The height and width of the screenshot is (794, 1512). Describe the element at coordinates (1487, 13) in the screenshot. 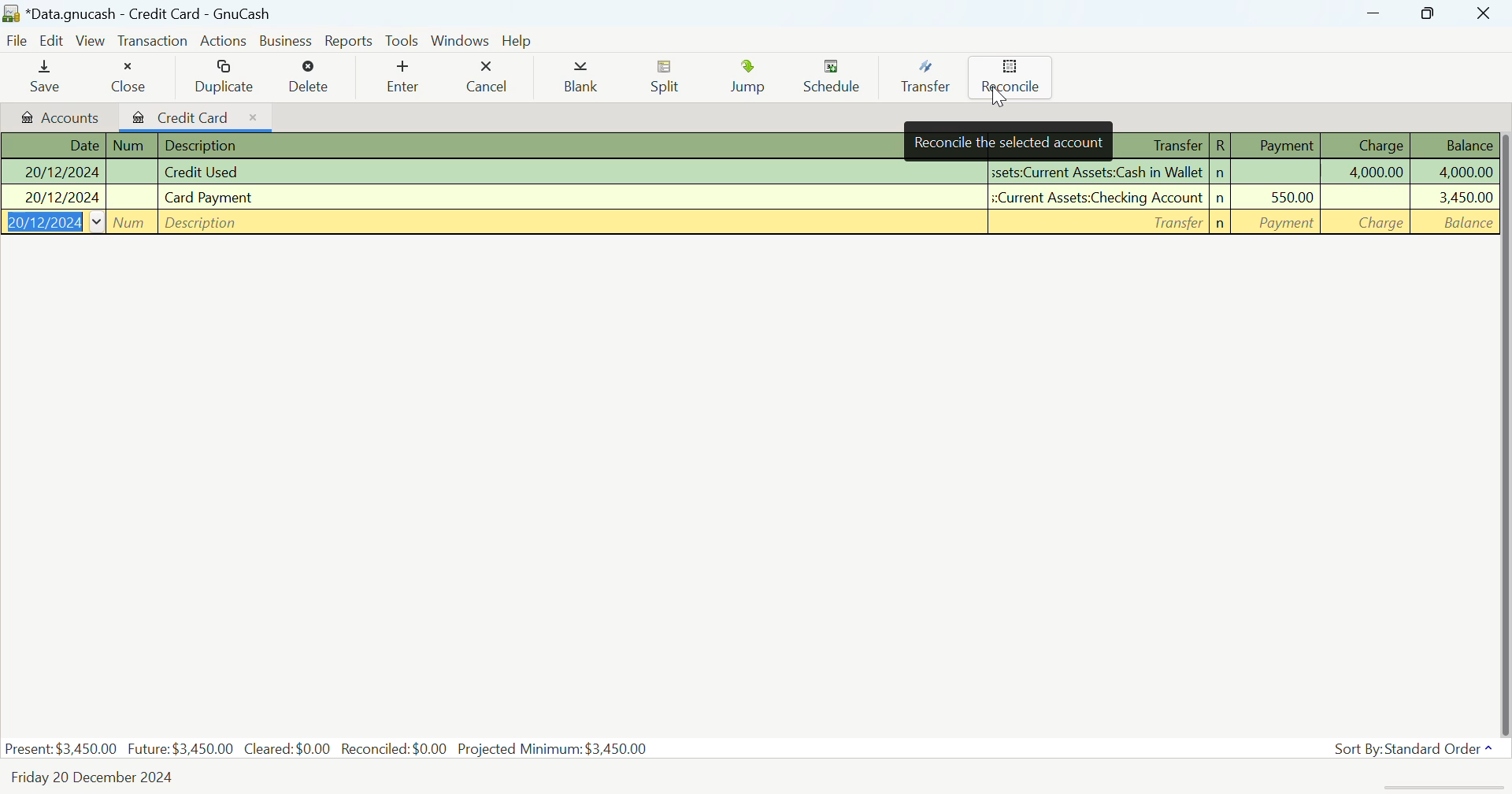

I see `Close Window` at that location.